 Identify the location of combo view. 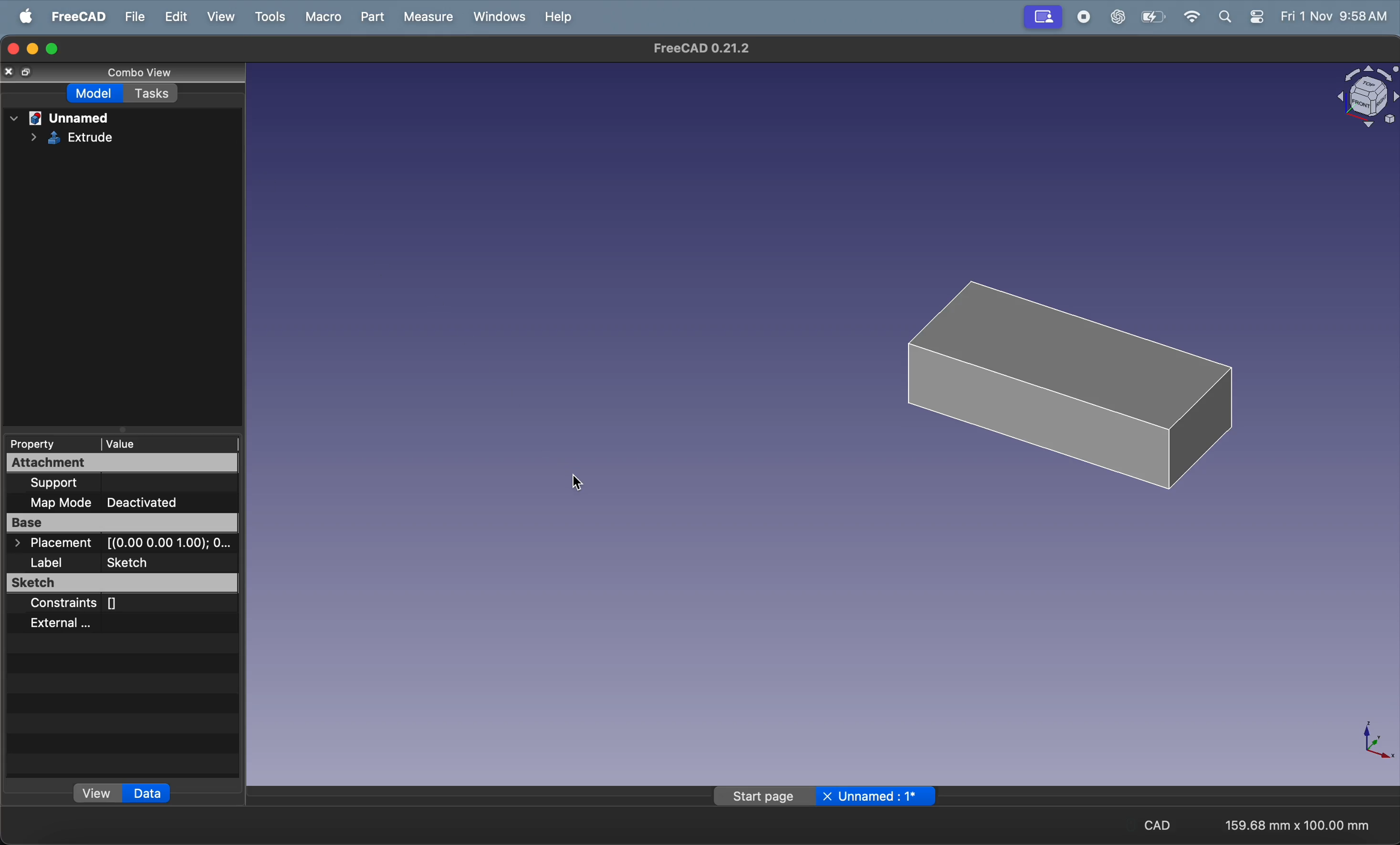
(132, 75).